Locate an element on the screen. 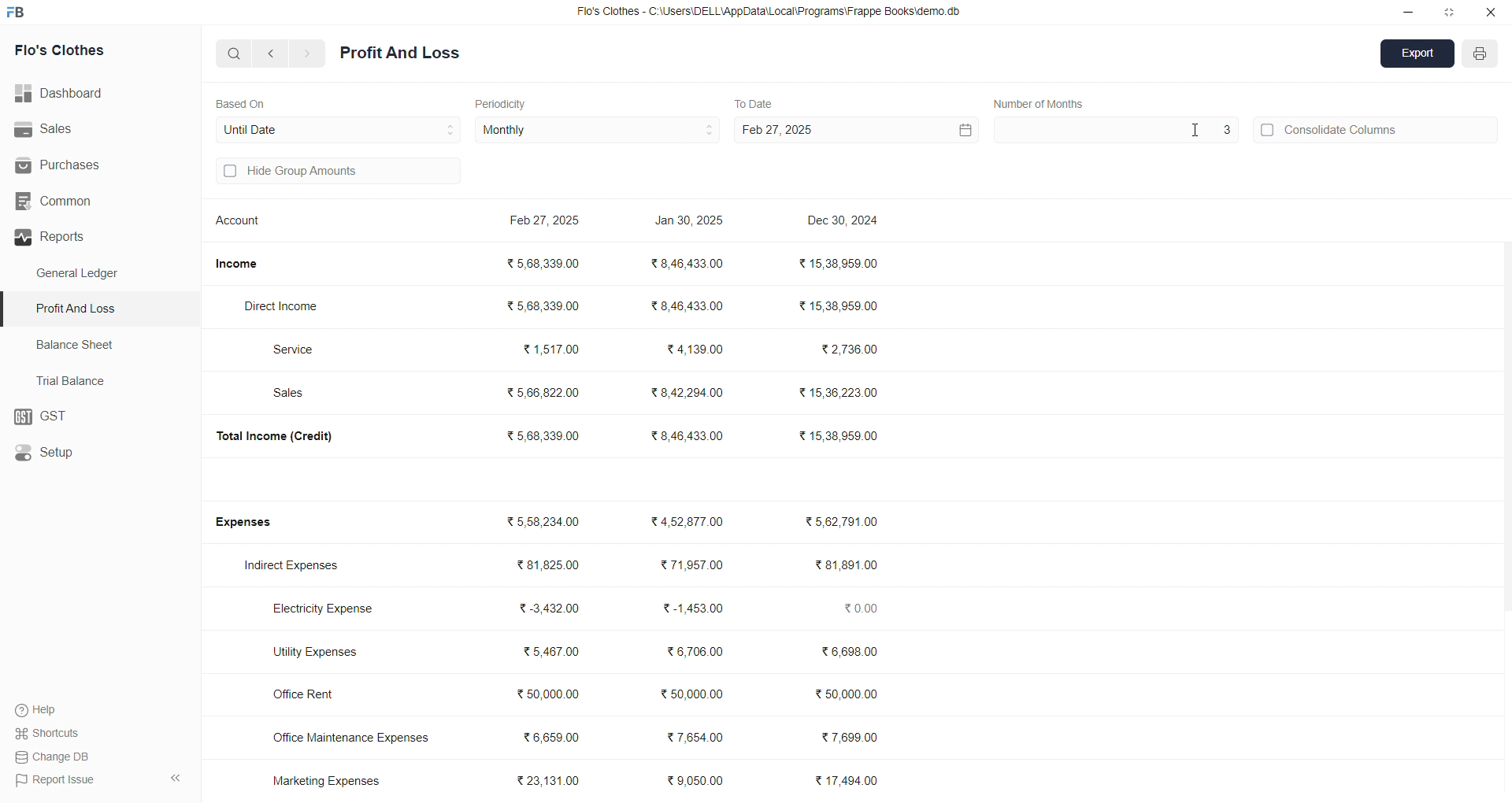 Image resolution: width=1512 pixels, height=803 pixels. Consolidate Columns is located at coordinates (1377, 128).